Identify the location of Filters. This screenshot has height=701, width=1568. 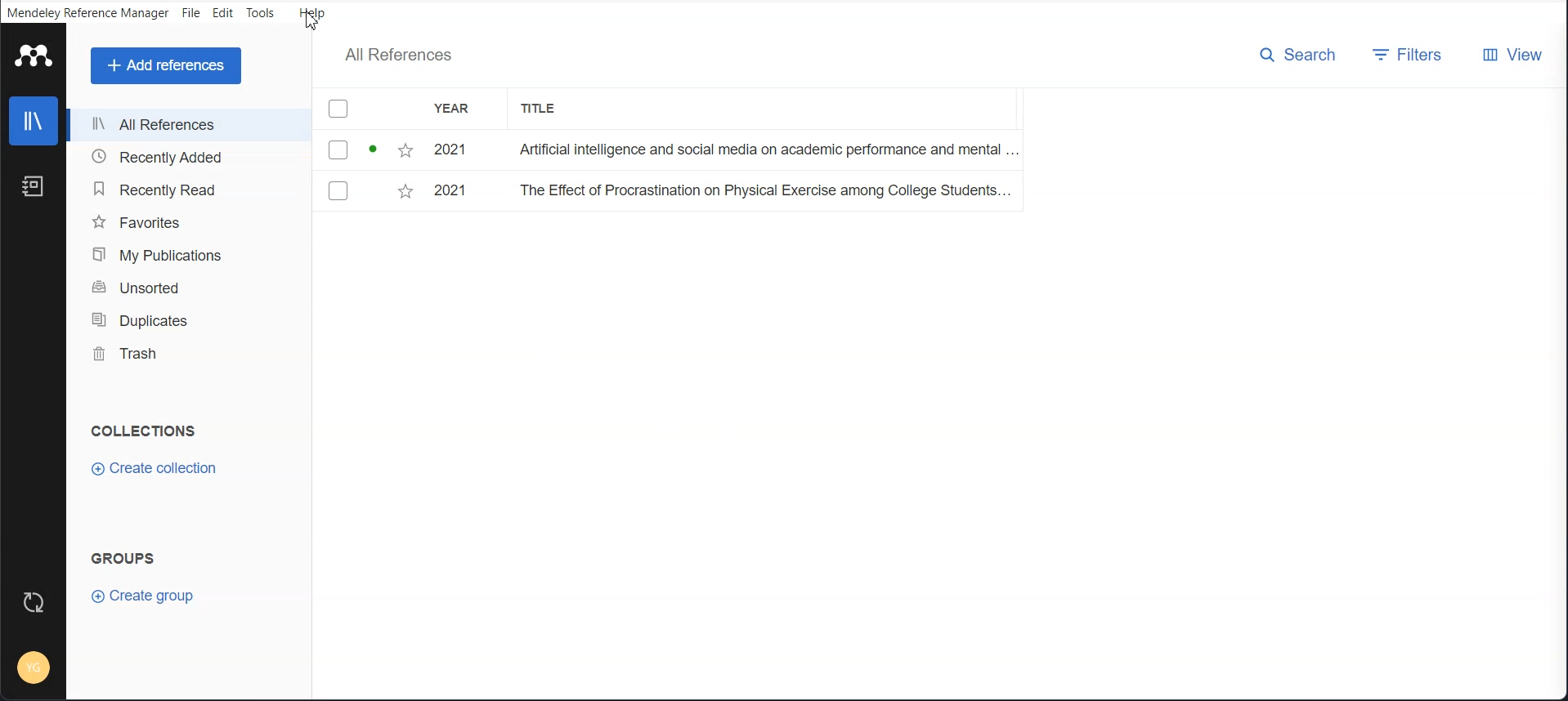
(1409, 55).